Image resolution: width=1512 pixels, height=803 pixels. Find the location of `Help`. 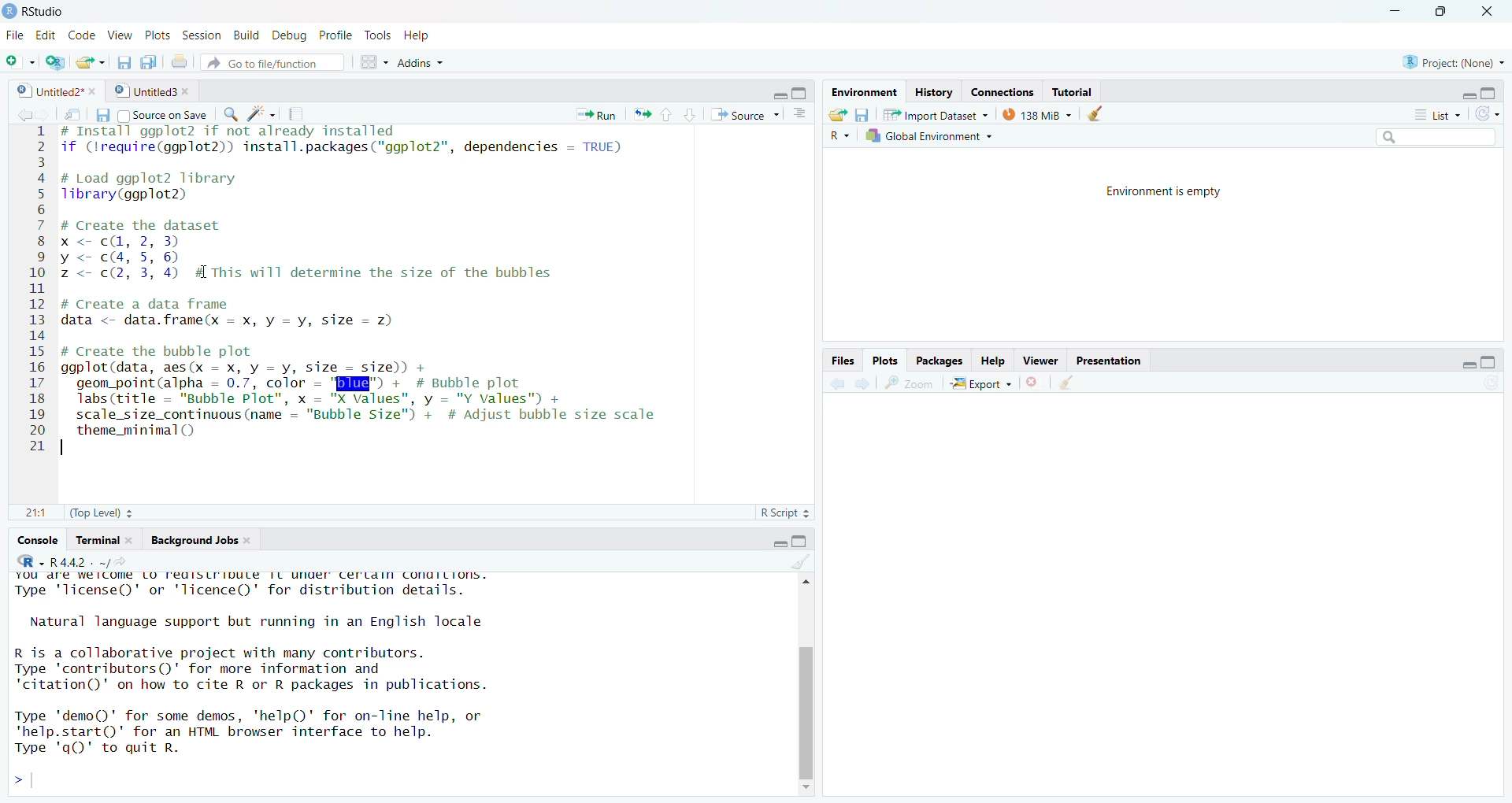

Help is located at coordinates (429, 35).